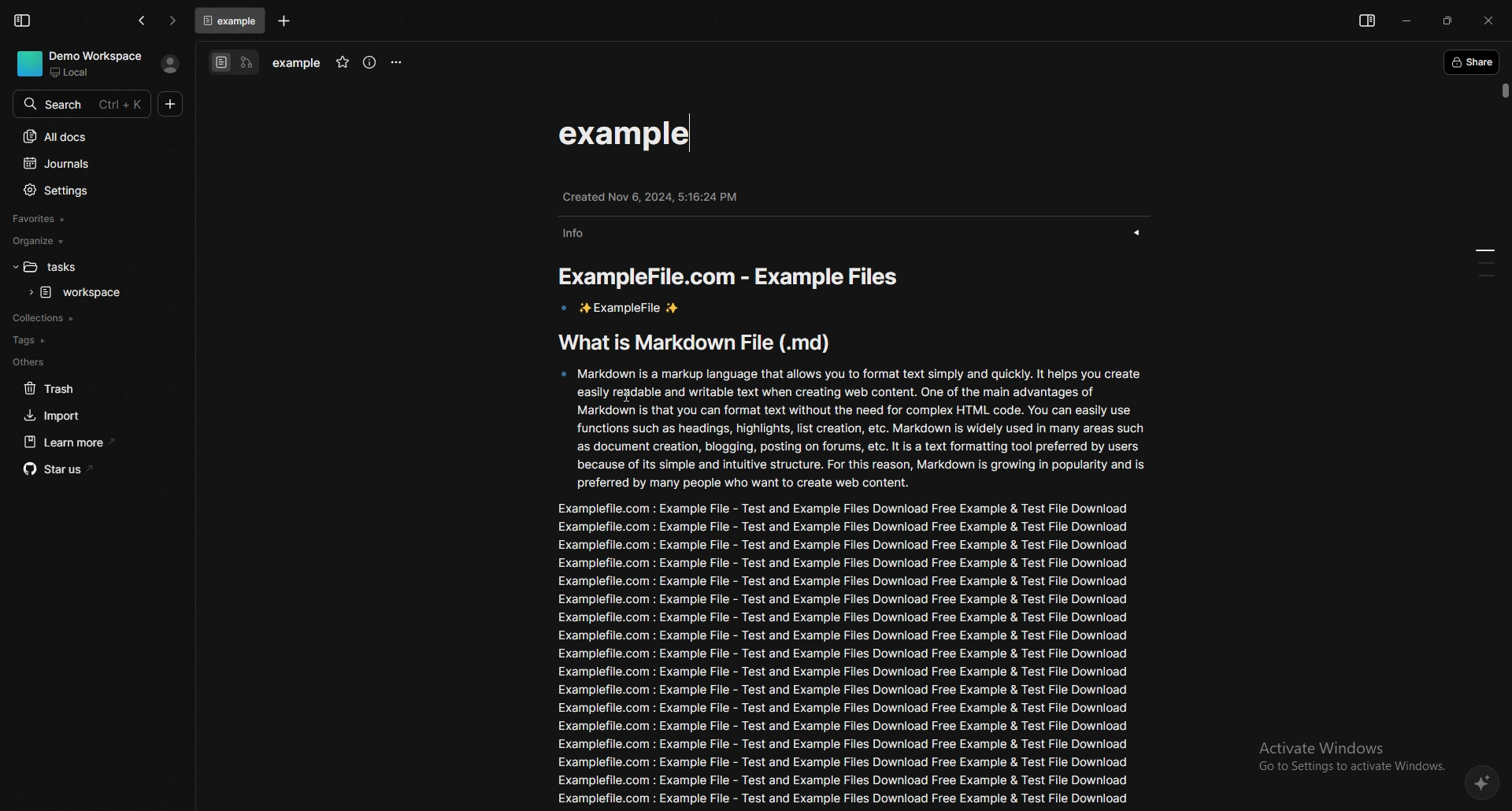 This screenshot has height=811, width=1512. What do you see at coordinates (91, 319) in the screenshot?
I see `collections` at bounding box center [91, 319].